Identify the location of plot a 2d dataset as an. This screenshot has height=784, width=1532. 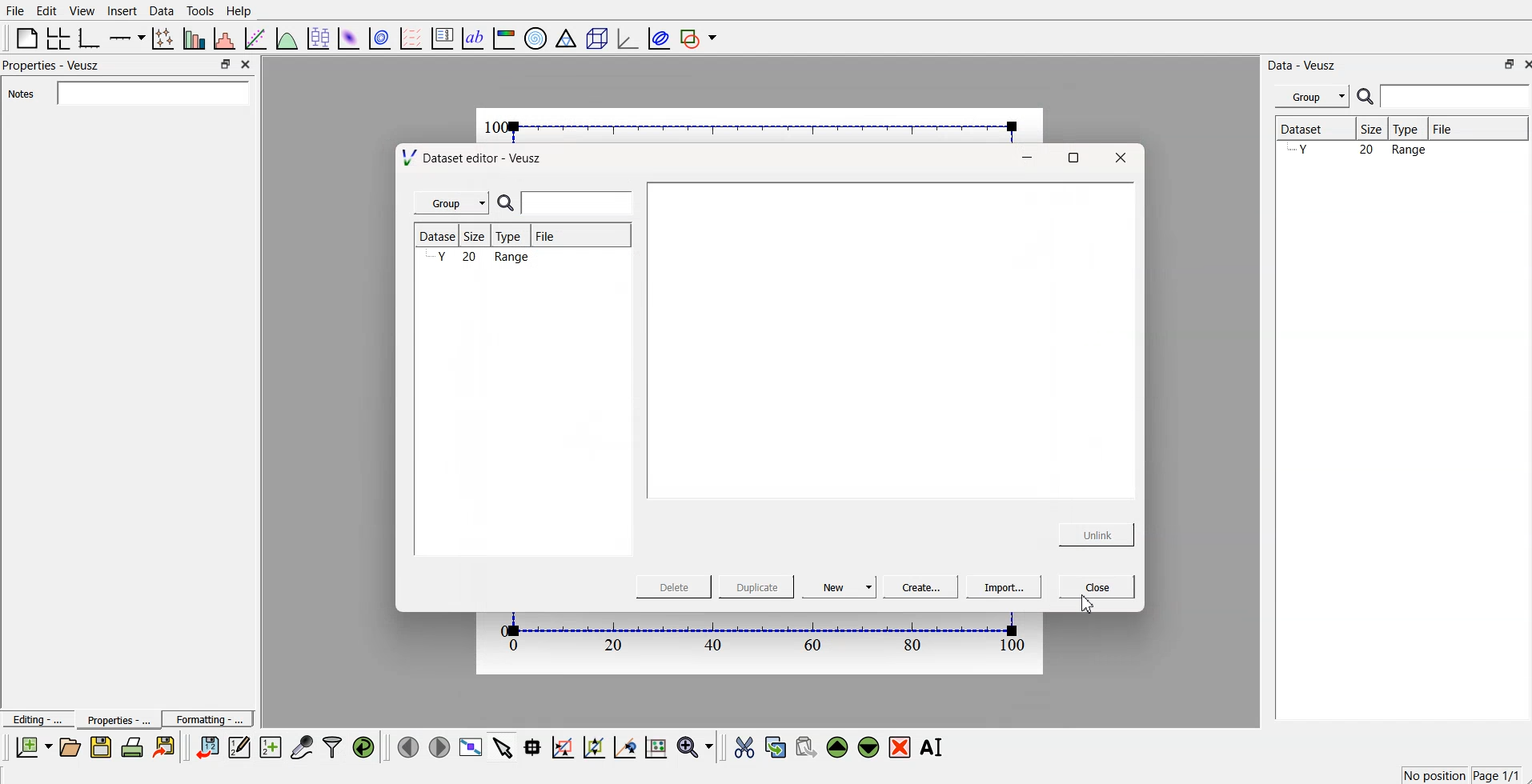
(348, 37).